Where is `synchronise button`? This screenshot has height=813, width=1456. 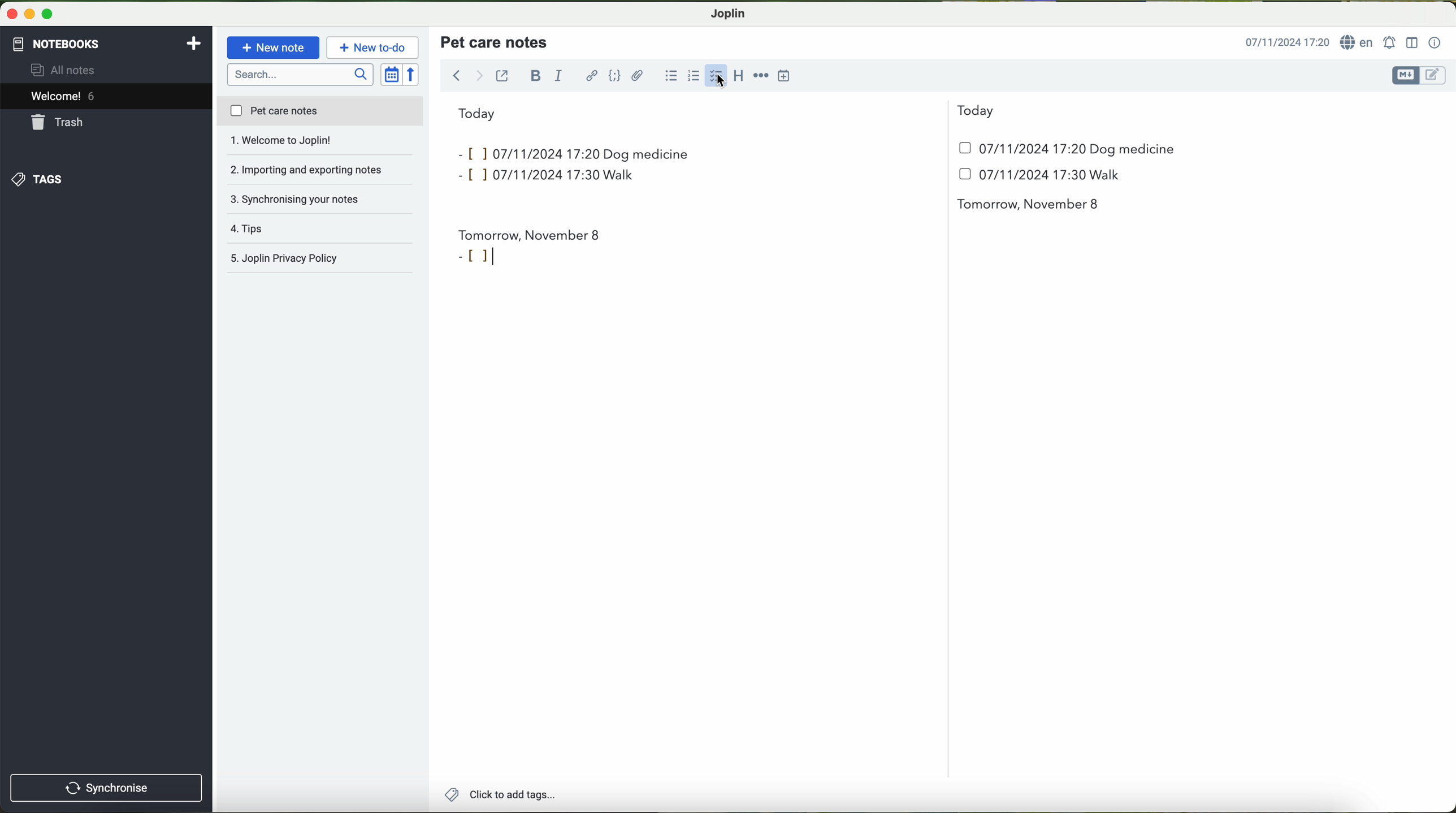 synchronise button is located at coordinates (106, 788).